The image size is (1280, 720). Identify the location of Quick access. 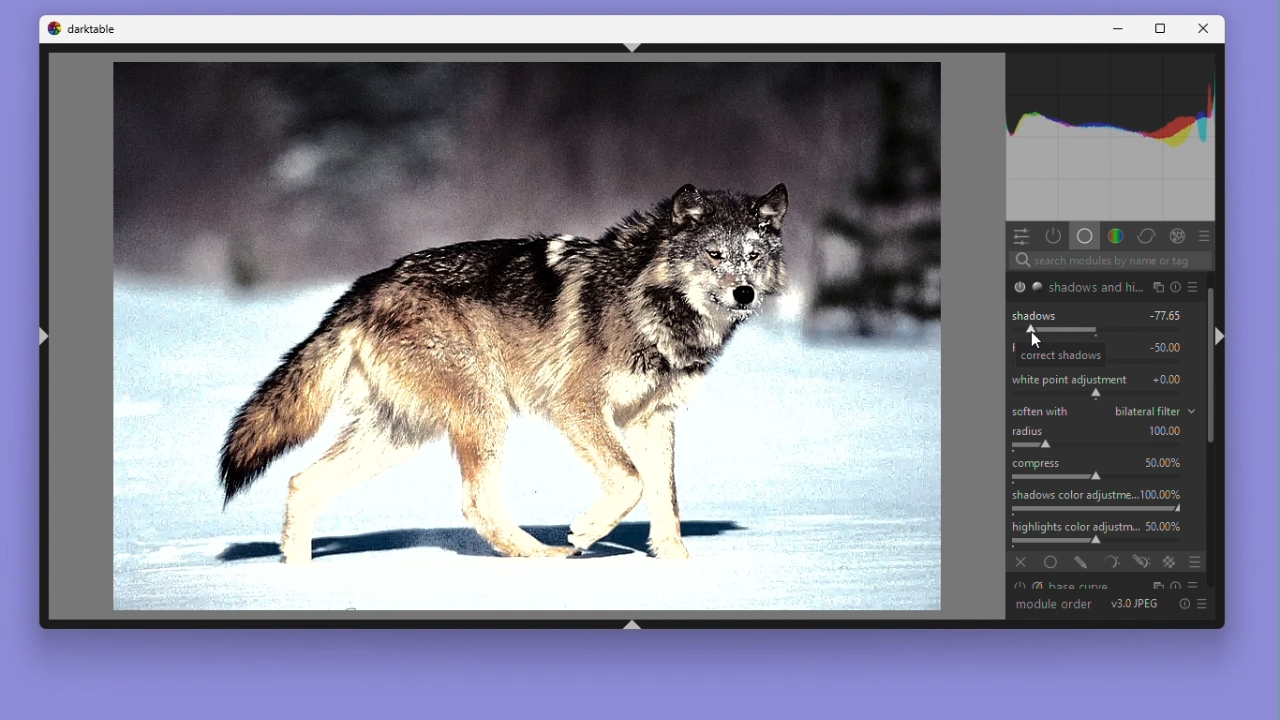
(1020, 235).